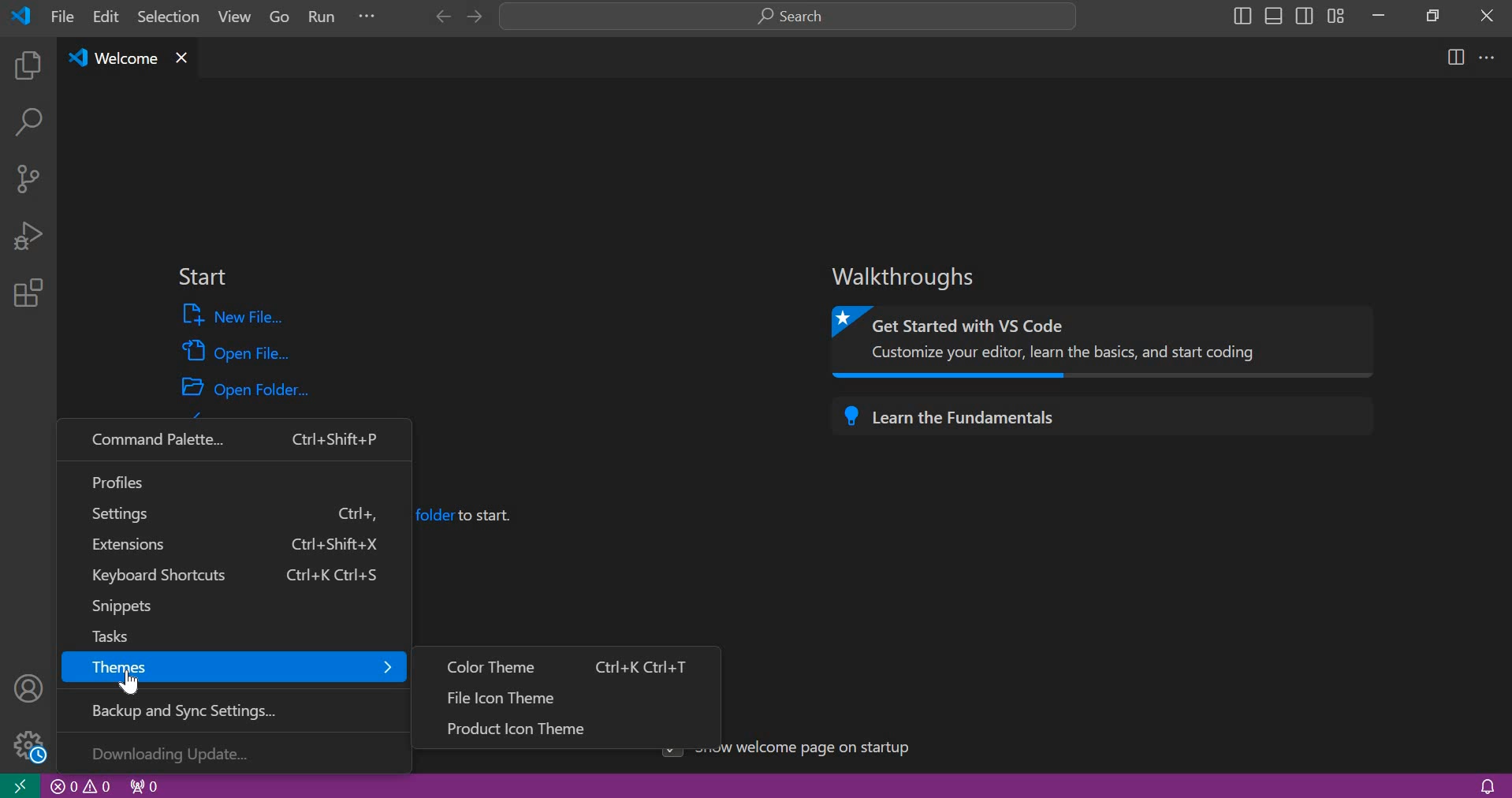  Describe the element at coordinates (439, 17) in the screenshot. I see `go forward` at that location.